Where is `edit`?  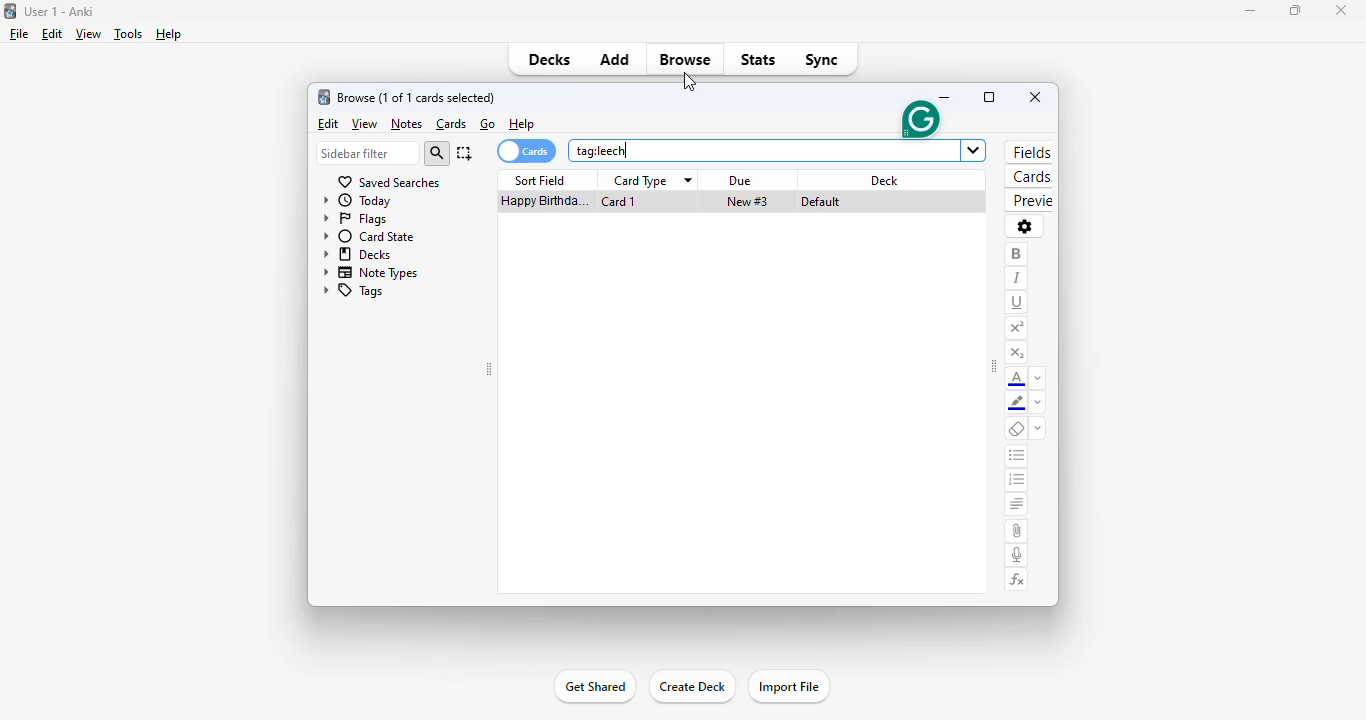 edit is located at coordinates (330, 124).